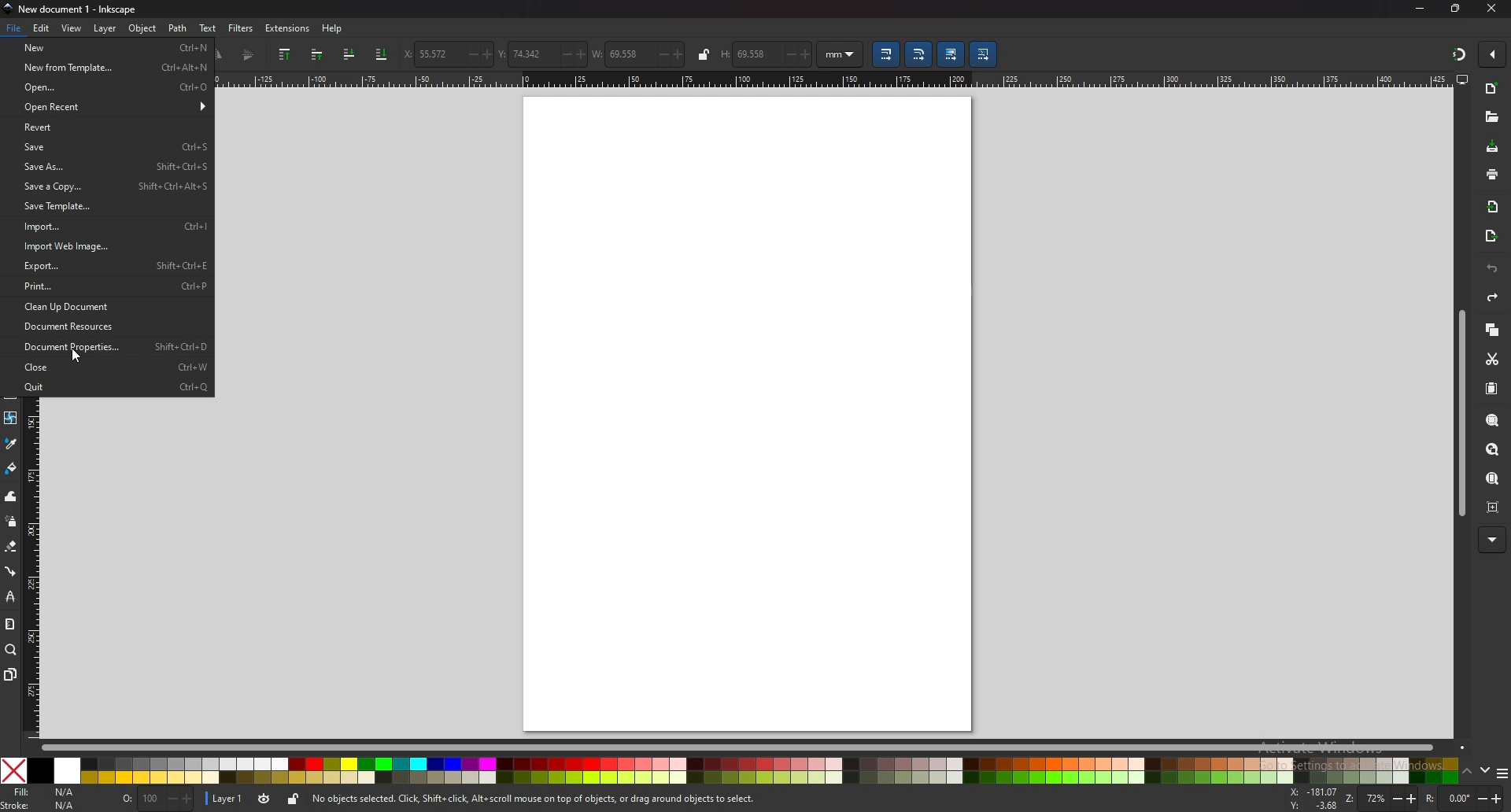  What do you see at coordinates (108, 107) in the screenshot?
I see `open recent` at bounding box center [108, 107].